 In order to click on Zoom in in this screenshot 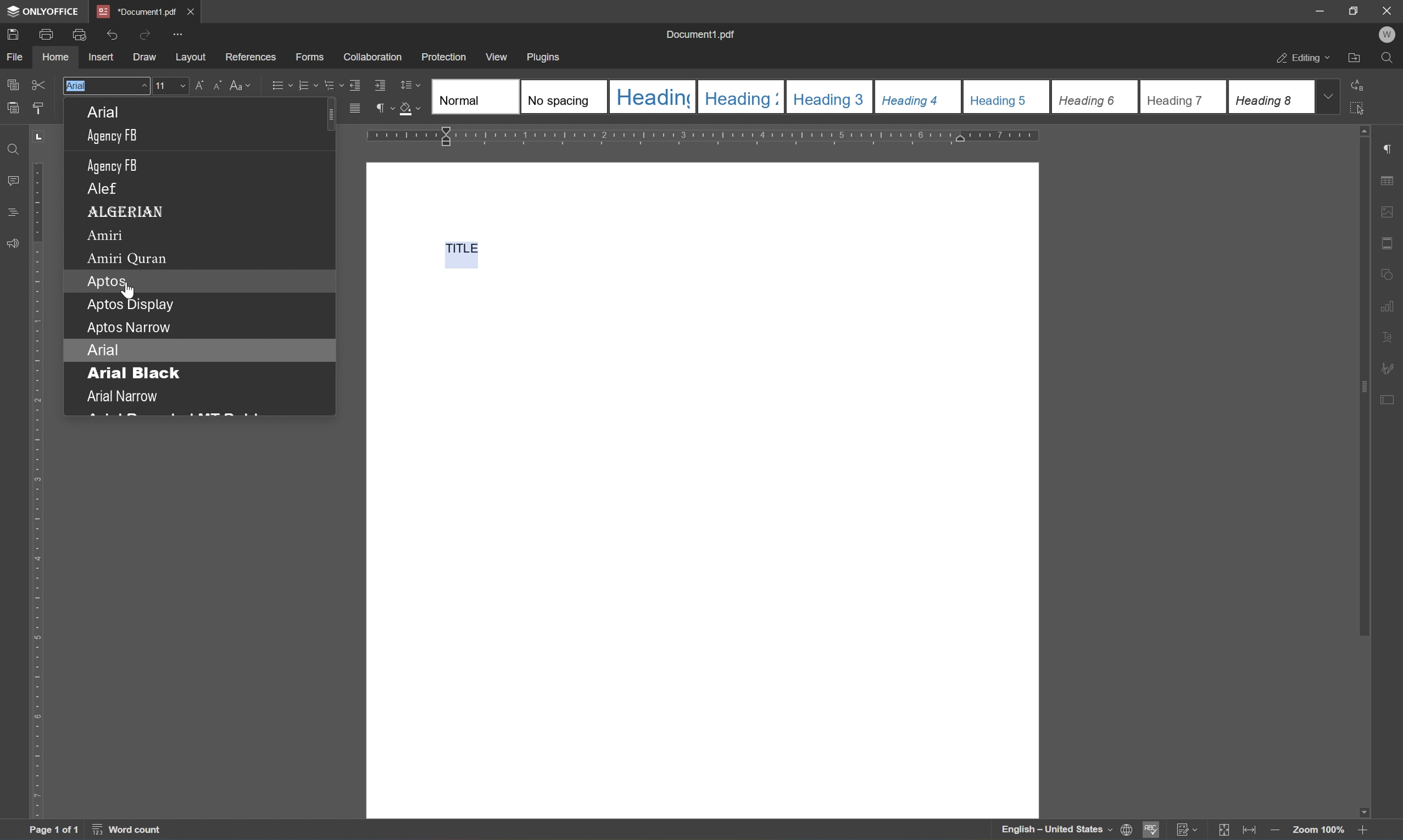, I will do `click(1366, 830)`.